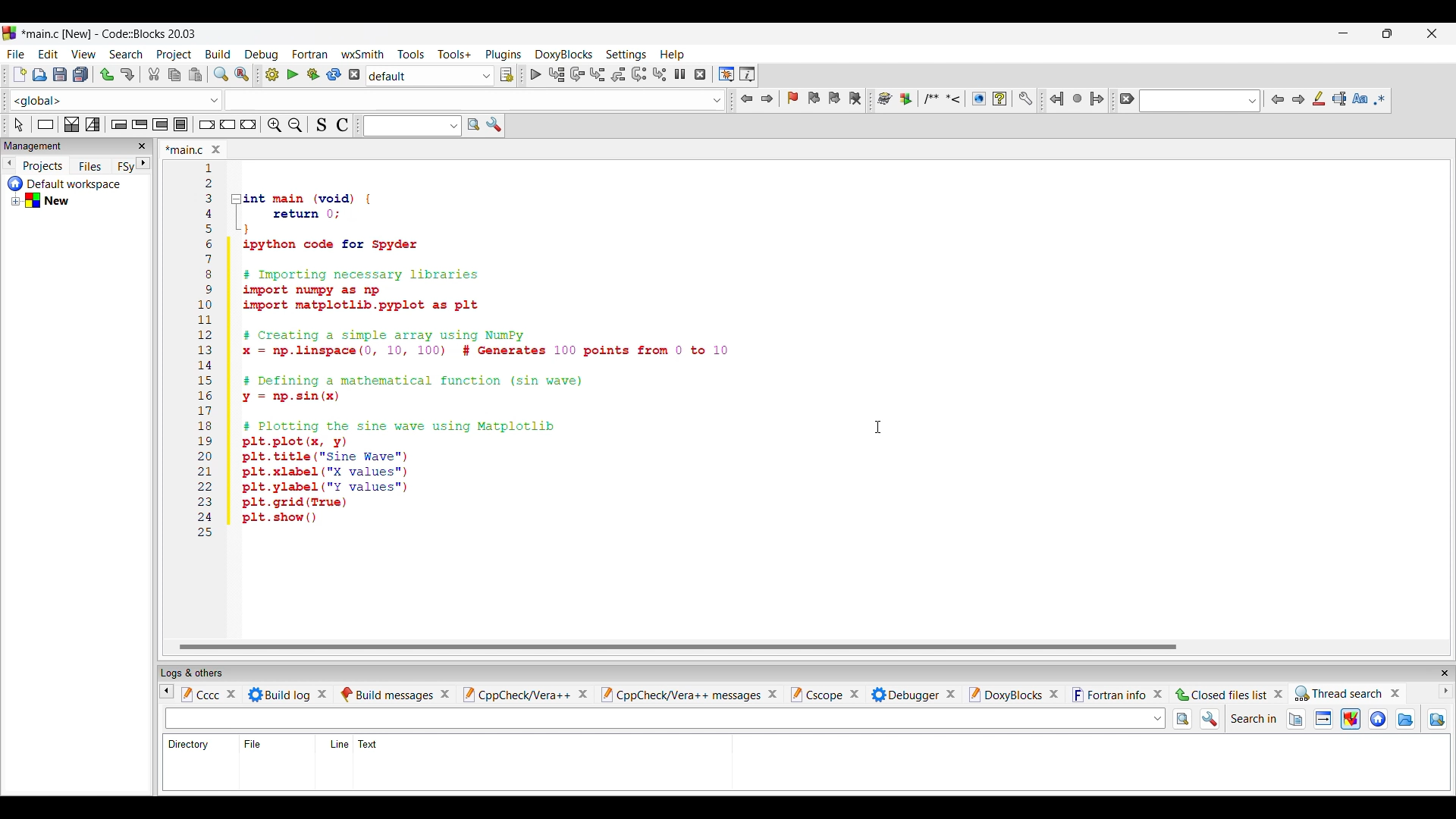  I want to click on jump forward, so click(771, 100).